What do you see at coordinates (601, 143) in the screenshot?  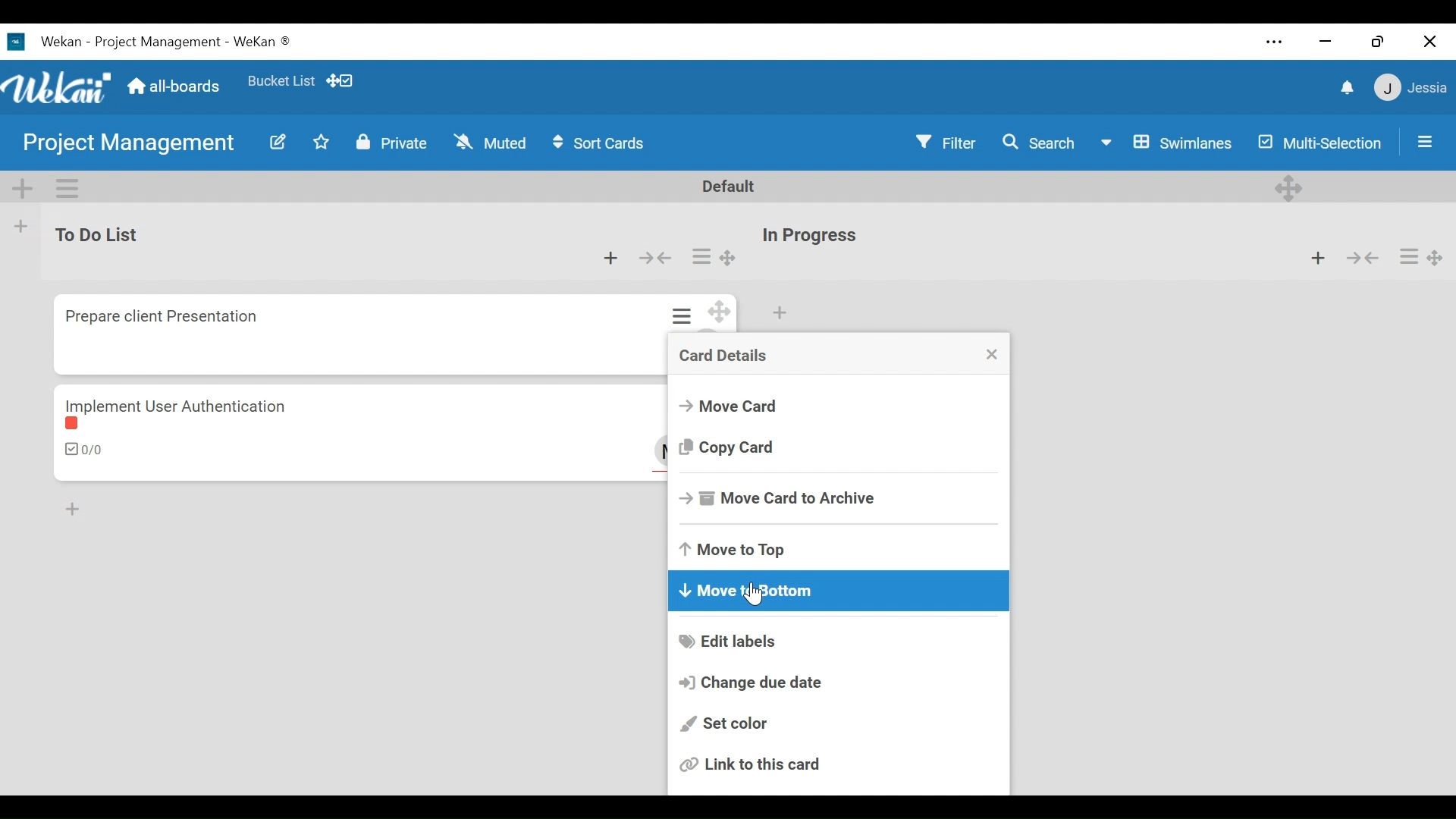 I see `Sort Cards` at bounding box center [601, 143].